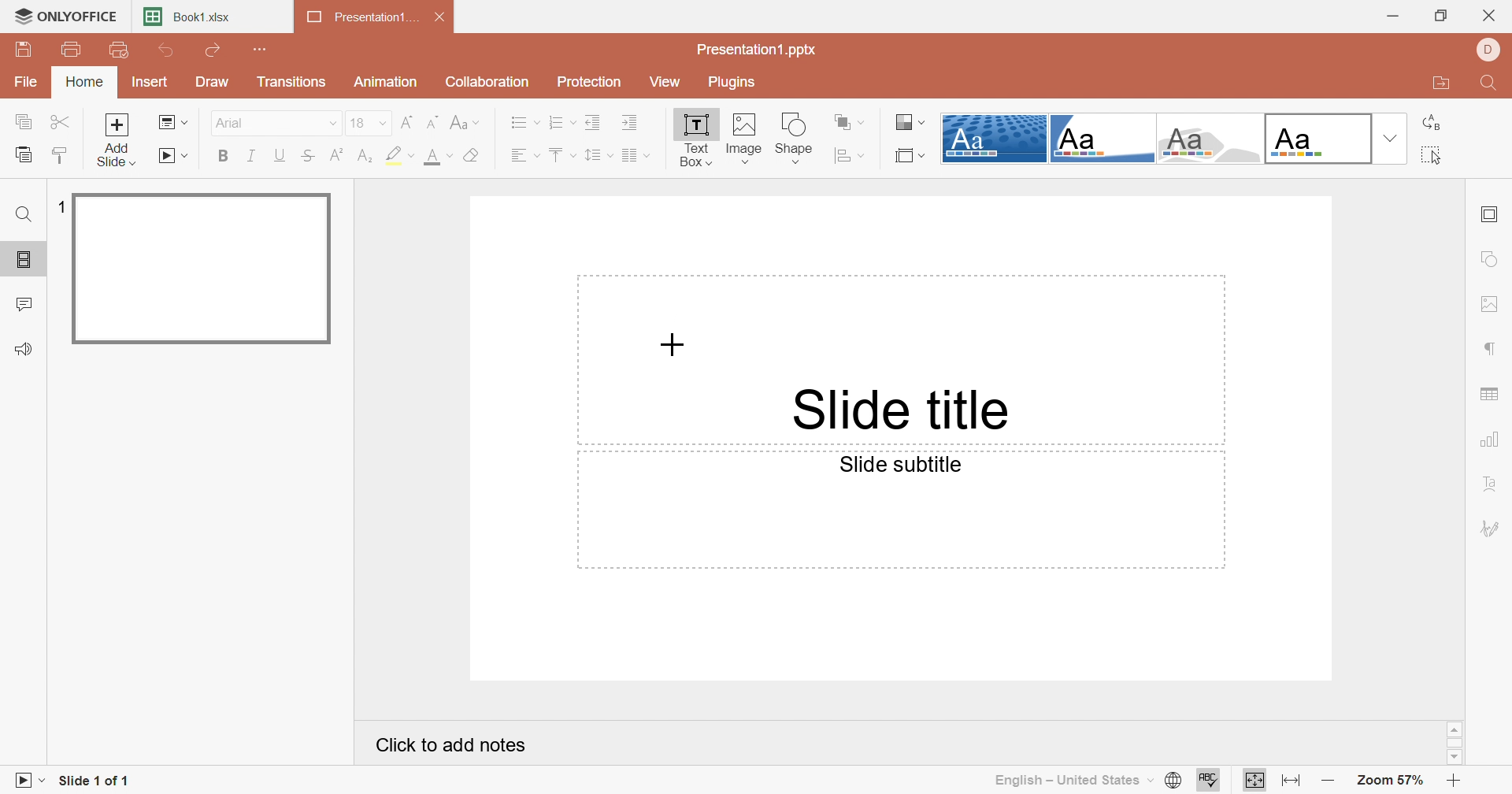  Describe the element at coordinates (24, 122) in the screenshot. I see `Copy` at that location.